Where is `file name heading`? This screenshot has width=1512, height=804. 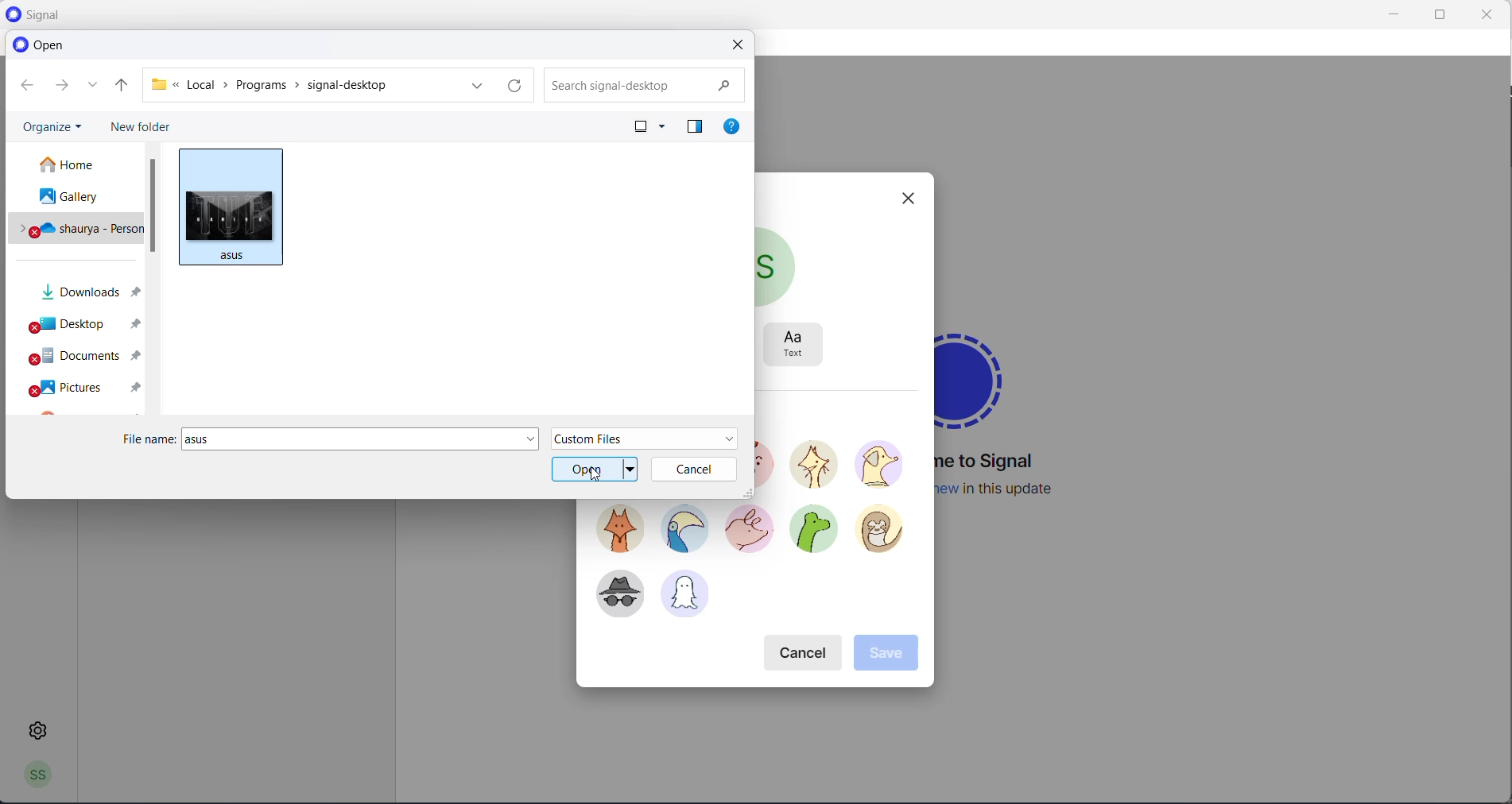
file name heading is located at coordinates (148, 440).